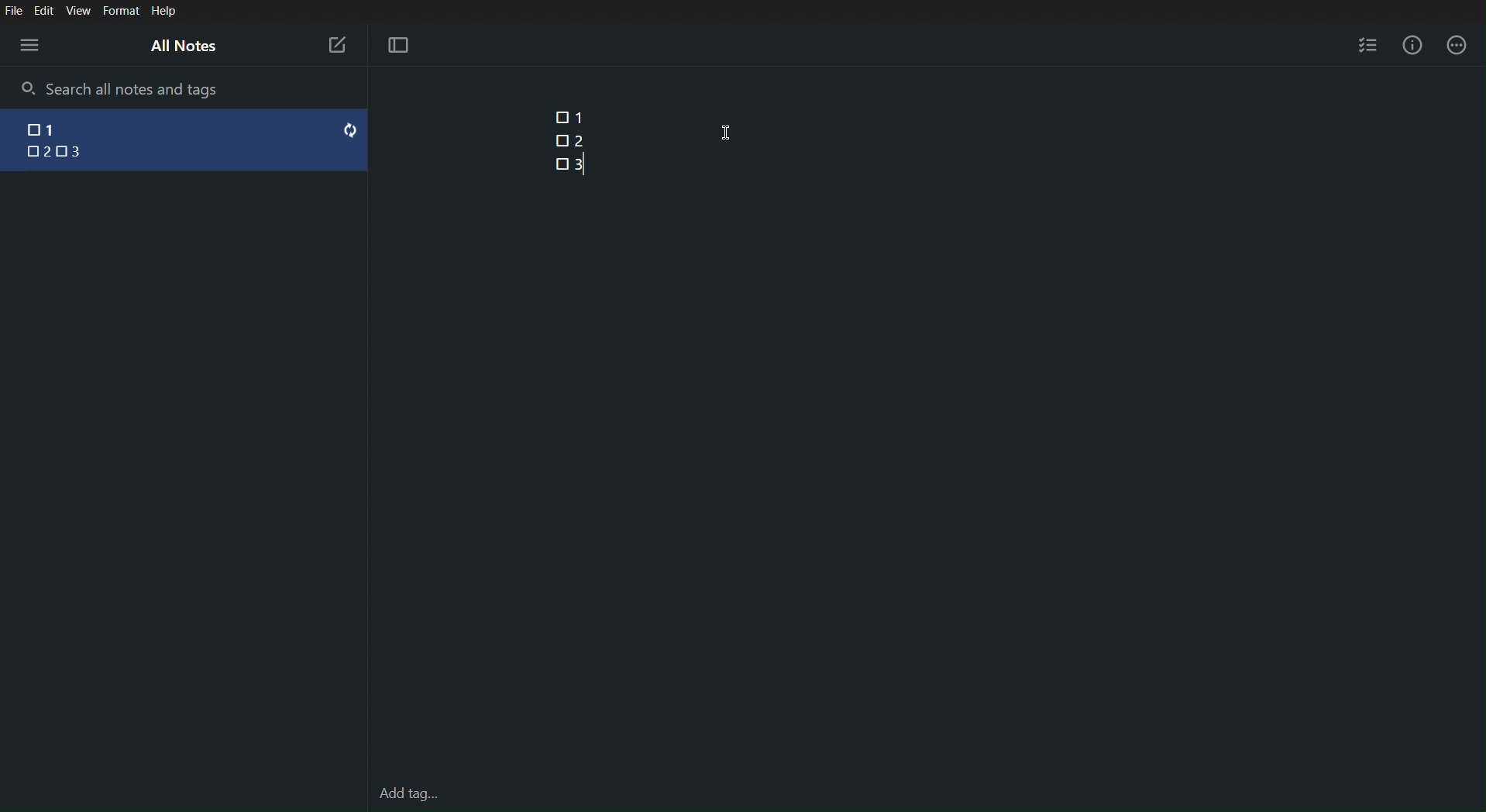 This screenshot has height=812, width=1486. Describe the element at coordinates (182, 45) in the screenshot. I see `All Notes` at that location.